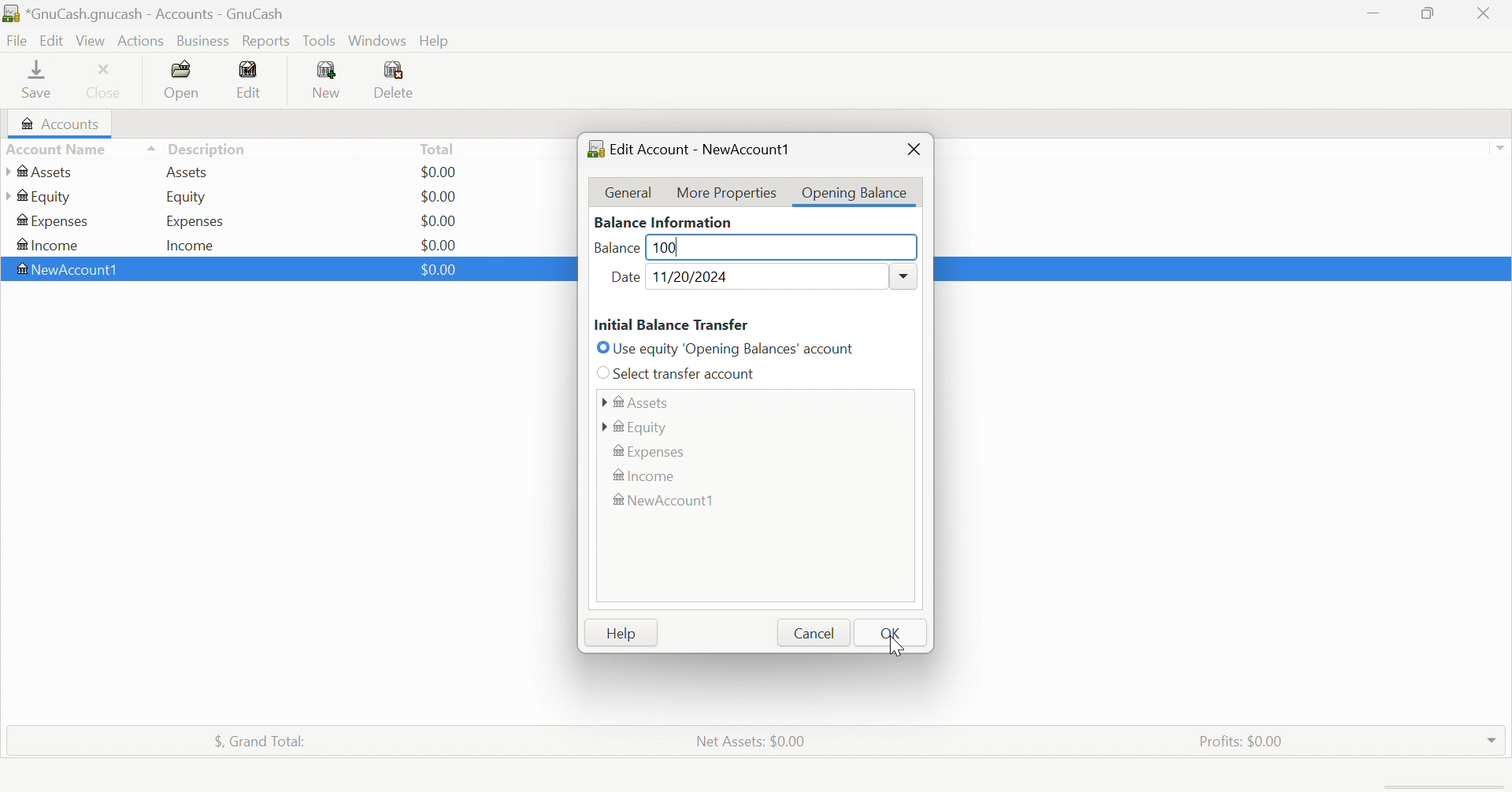 This screenshot has width=1512, height=792. Describe the element at coordinates (669, 501) in the screenshot. I see `NewAccount1` at that location.